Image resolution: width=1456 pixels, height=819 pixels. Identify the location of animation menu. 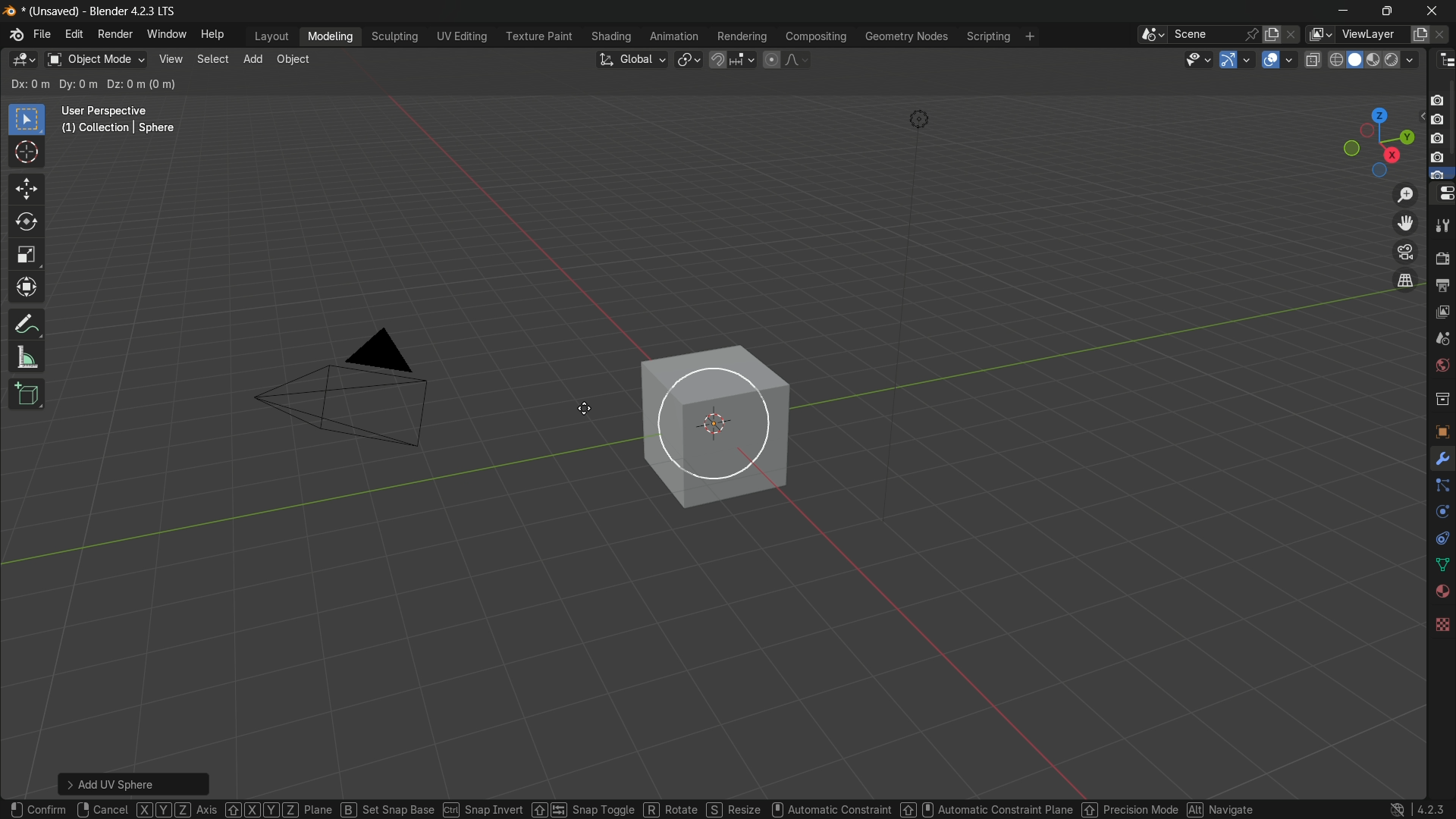
(676, 36).